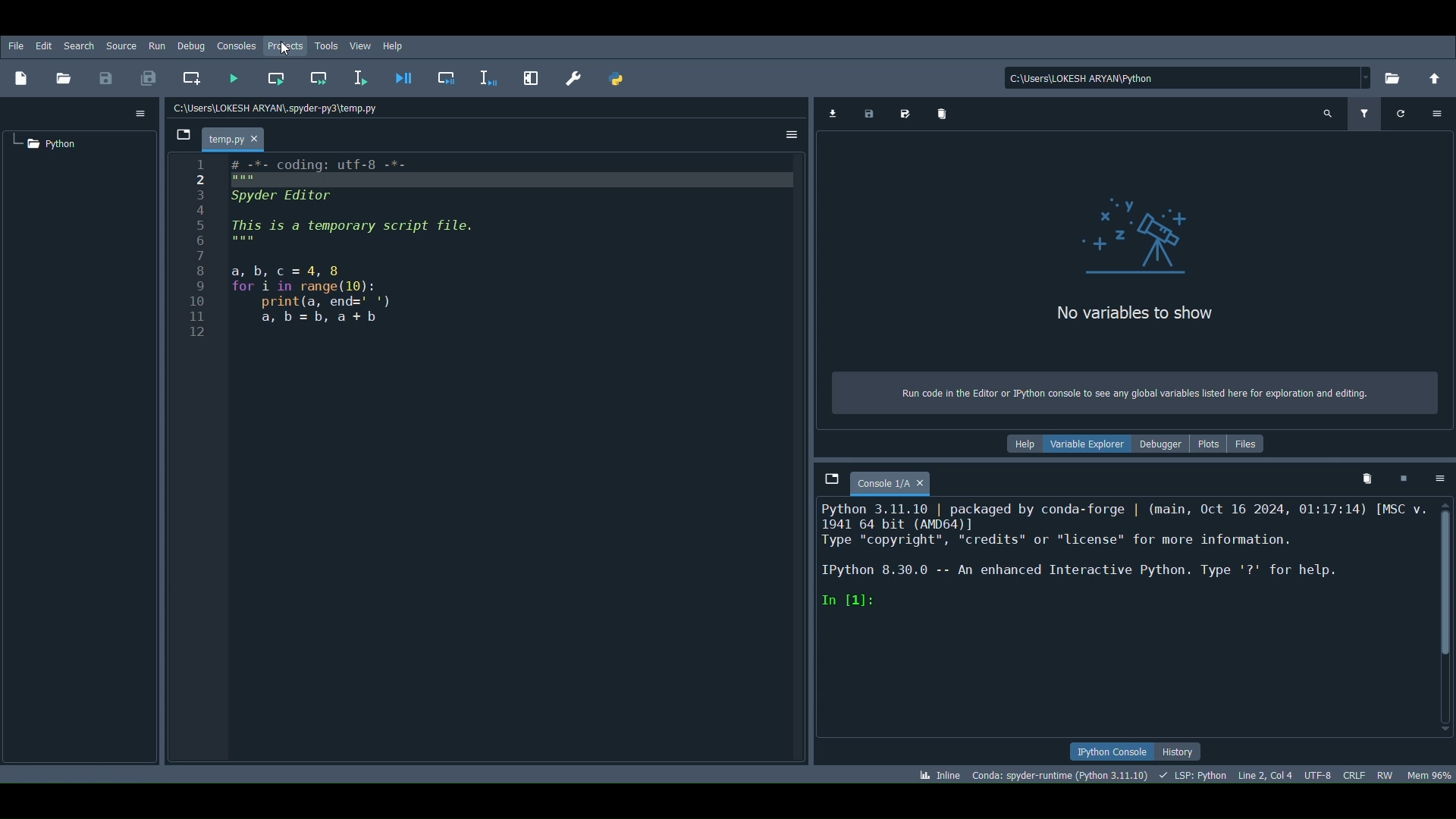 This screenshot has height=819, width=1456. What do you see at coordinates (869, 114) in the screenshot?
I see `Save data` at bounding box center [869, 114].